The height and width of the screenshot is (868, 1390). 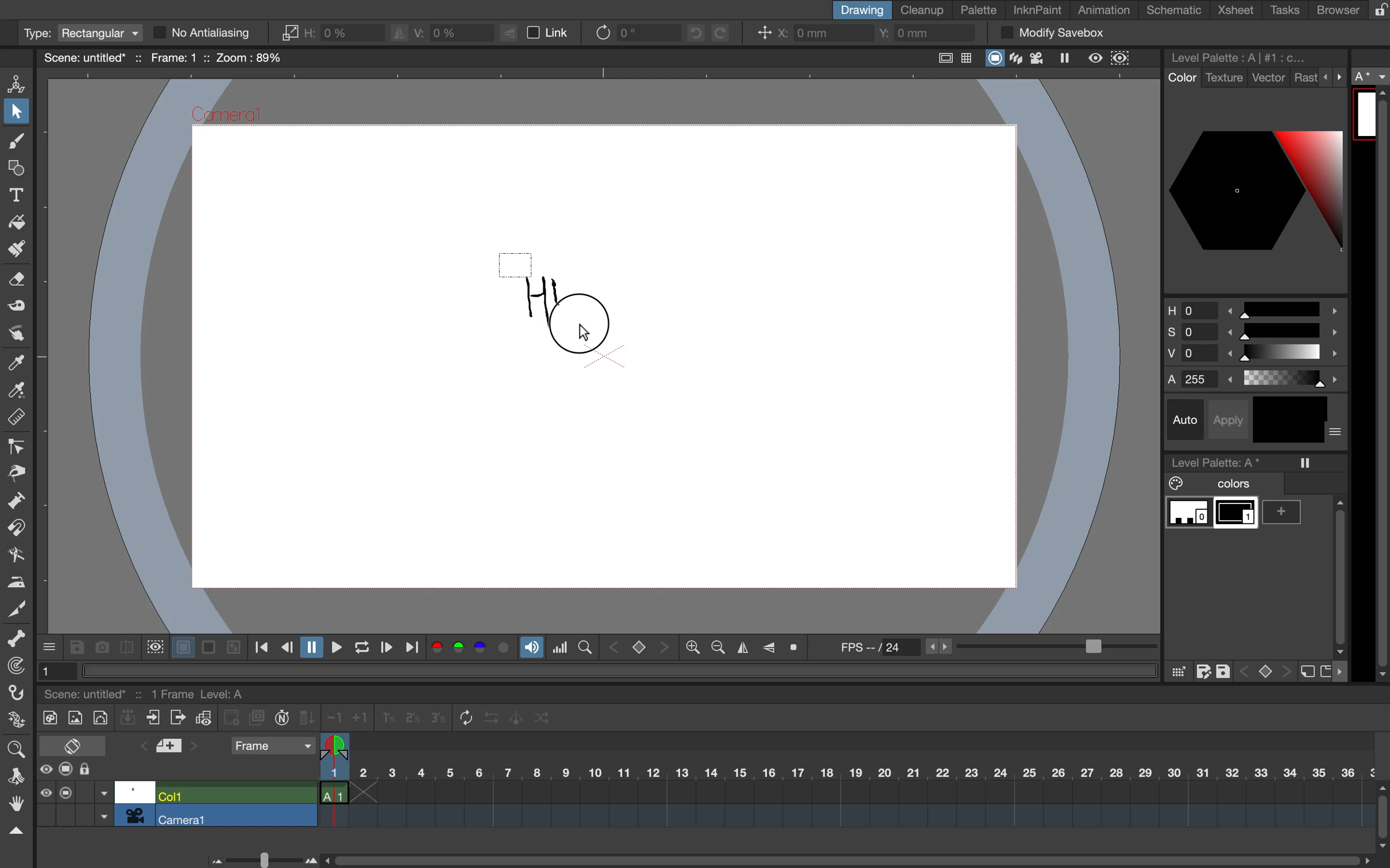 What do you see at coordinates (262, 648) in the screenshot?
I see `first frame` at bounding box center [262, 648].